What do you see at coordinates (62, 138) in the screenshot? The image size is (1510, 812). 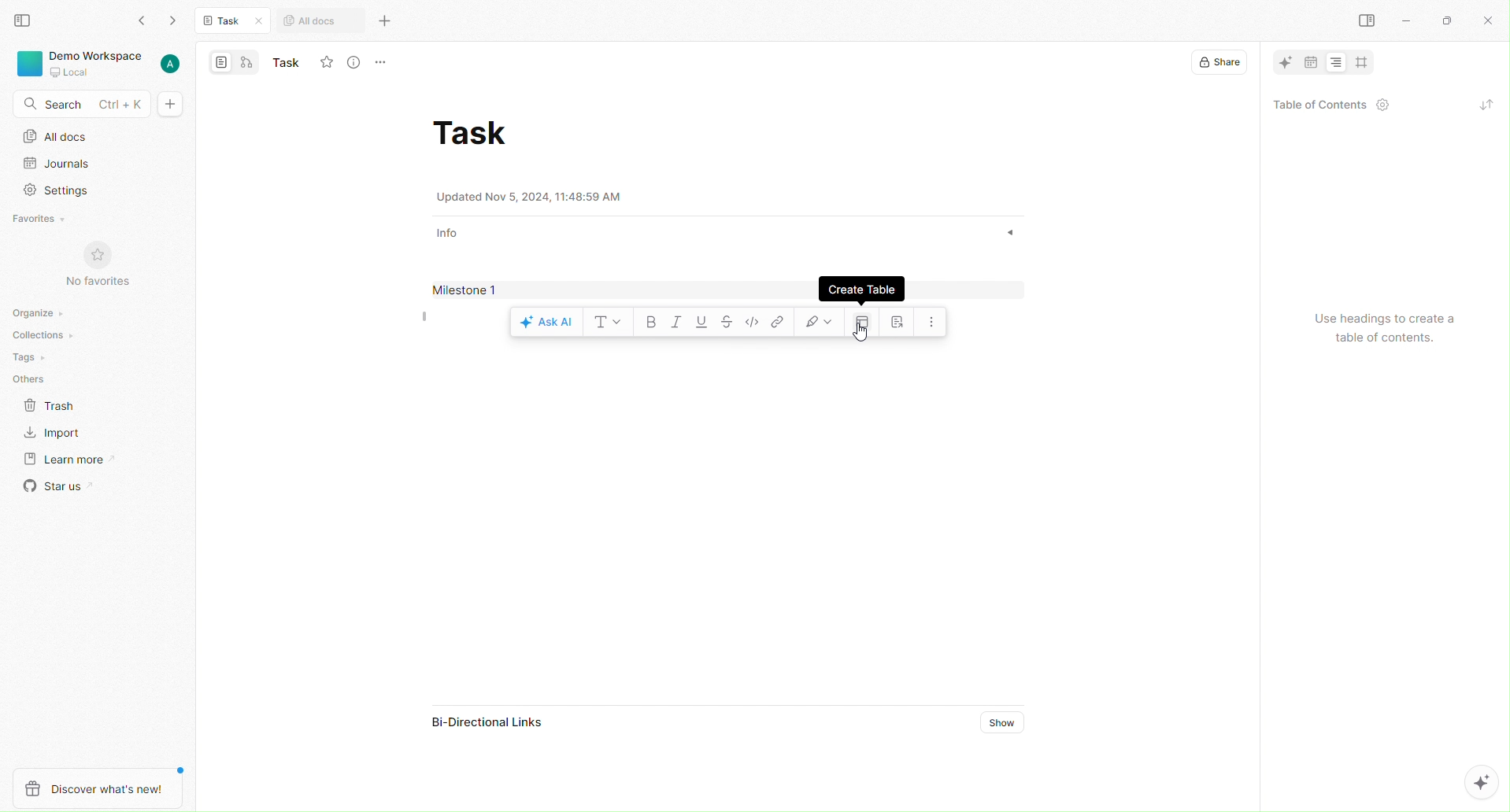 I see `All Docs` at bounding box center [62, 138].